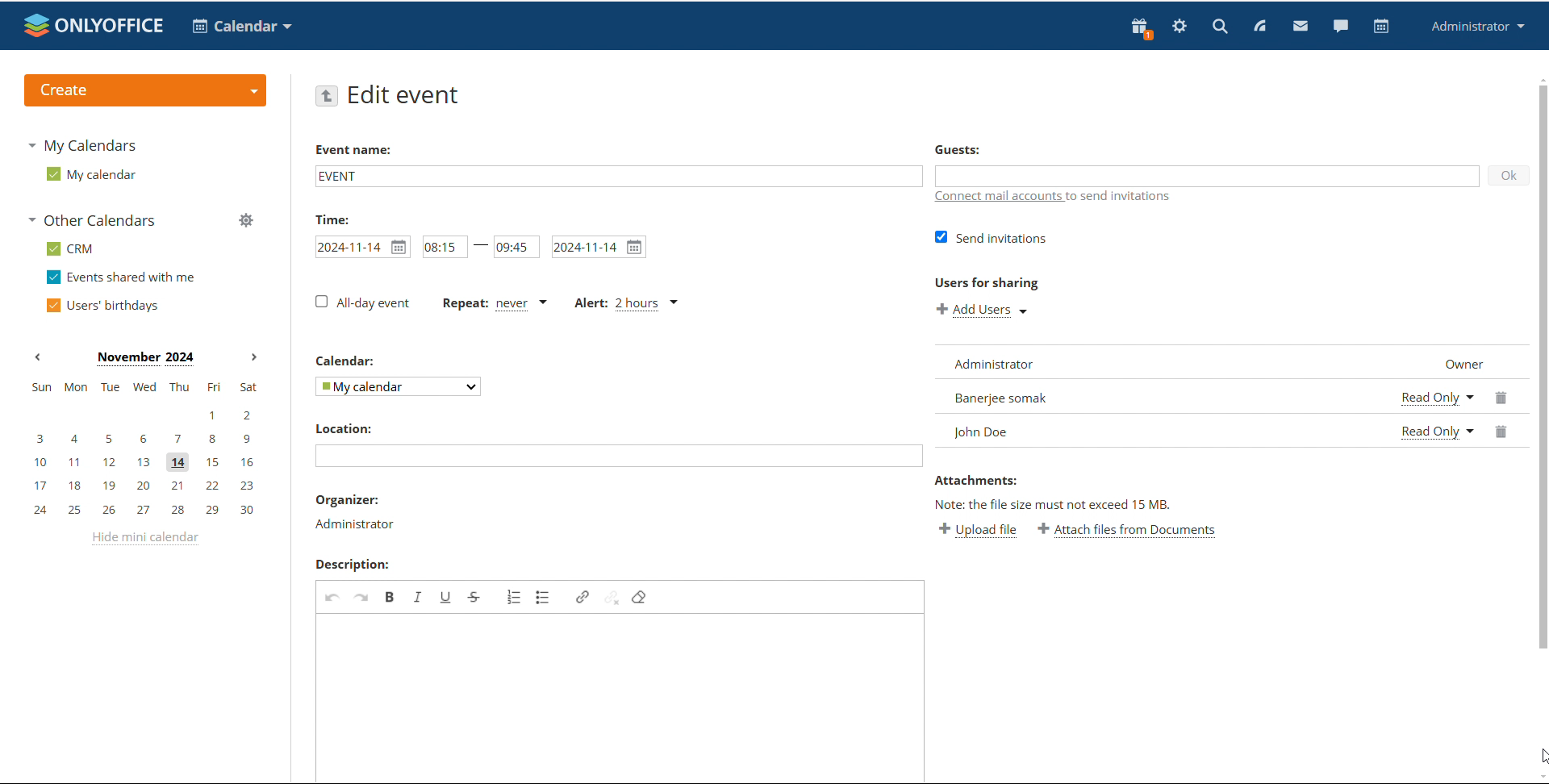 This screenshot has height=784, width=1549. I want to click on events shared with me, so click(121, 277).